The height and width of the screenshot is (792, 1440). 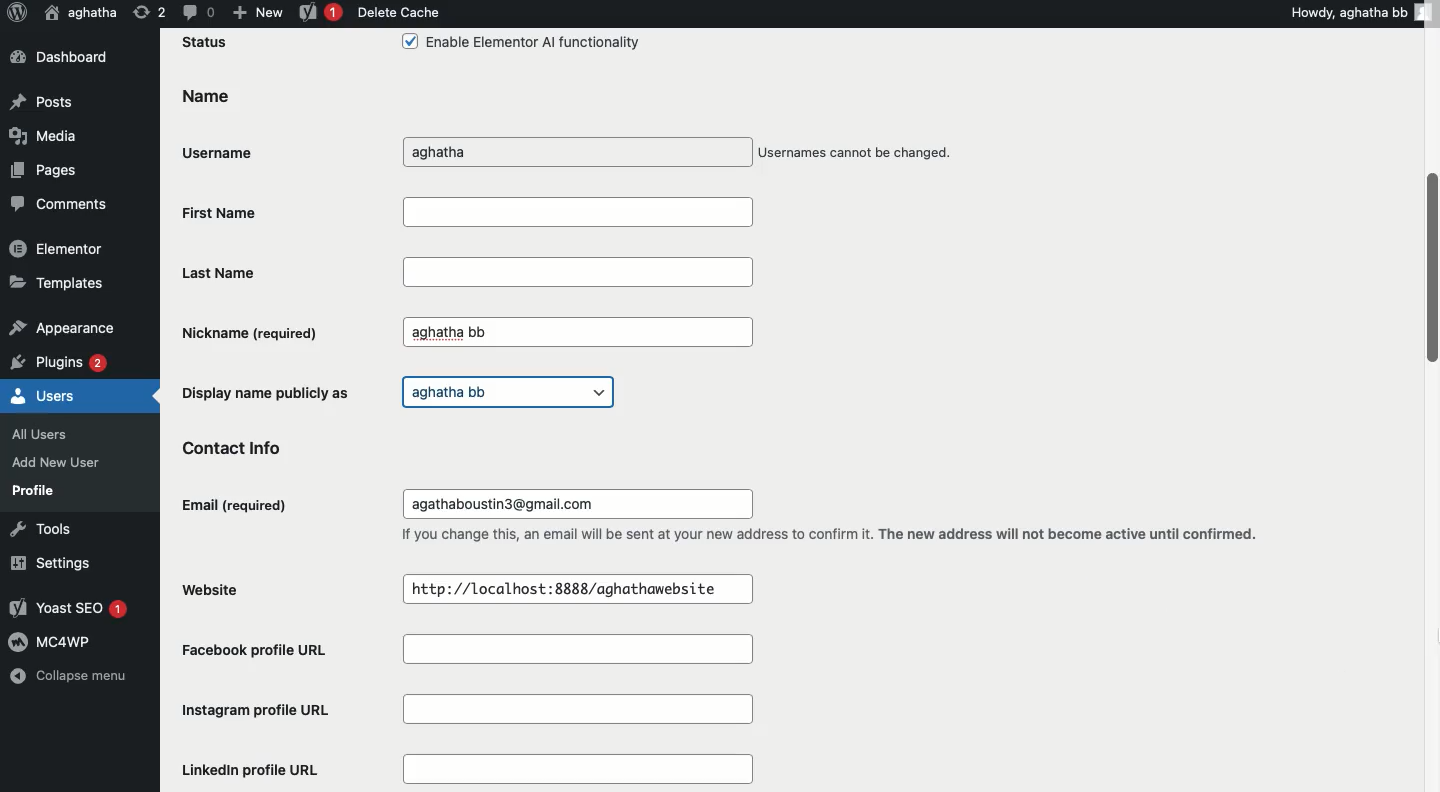 I want to click on http://localhost:8888/aghathawebsite, so click(x=567, y=588).